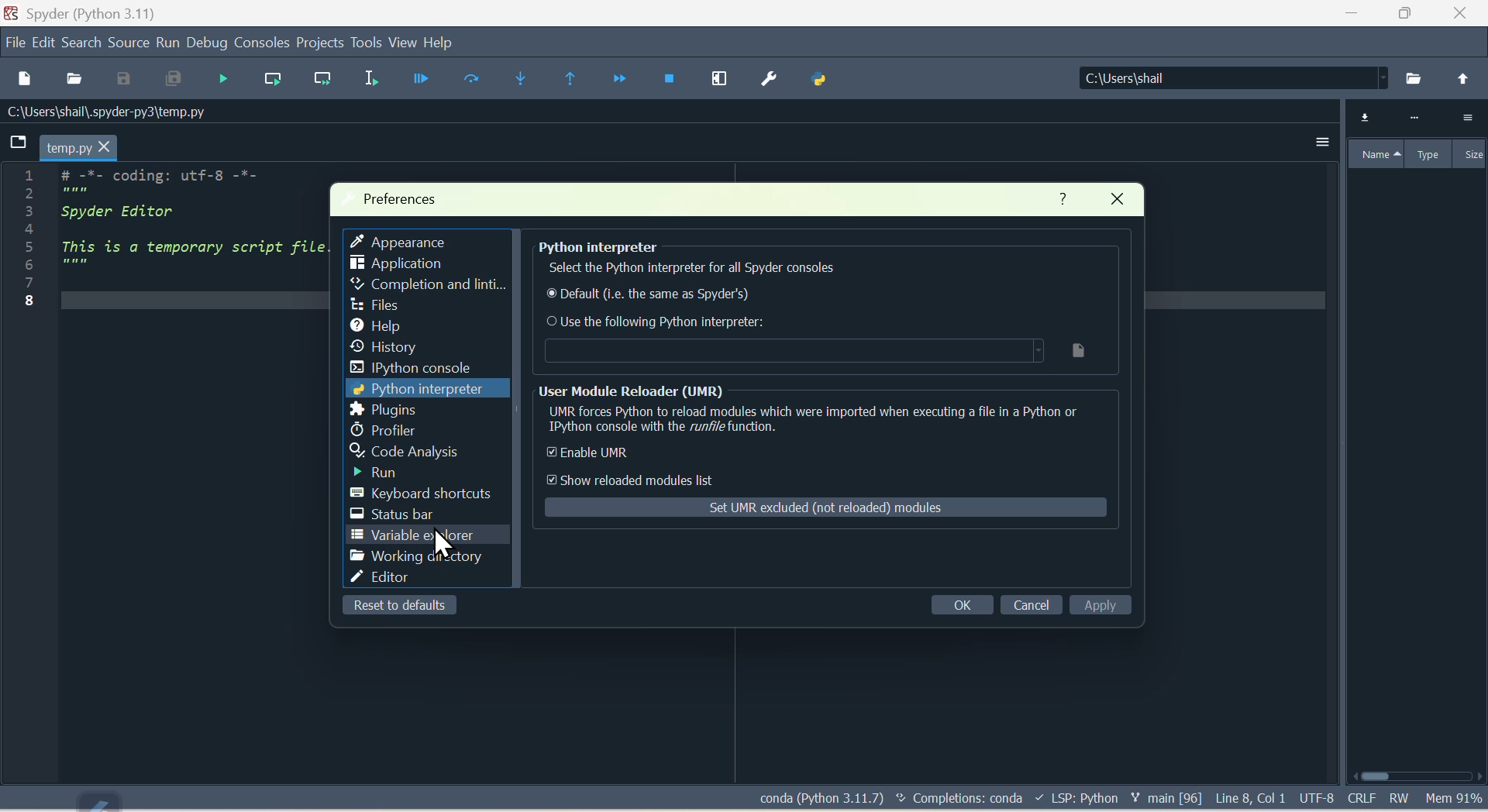 This screenshot has height=812, width=1488. Describe the element at coordinates (819, 260) in the screenshot. I see `Python interpreter - Select the Python interpreter for all Spyder consoles` at that location.